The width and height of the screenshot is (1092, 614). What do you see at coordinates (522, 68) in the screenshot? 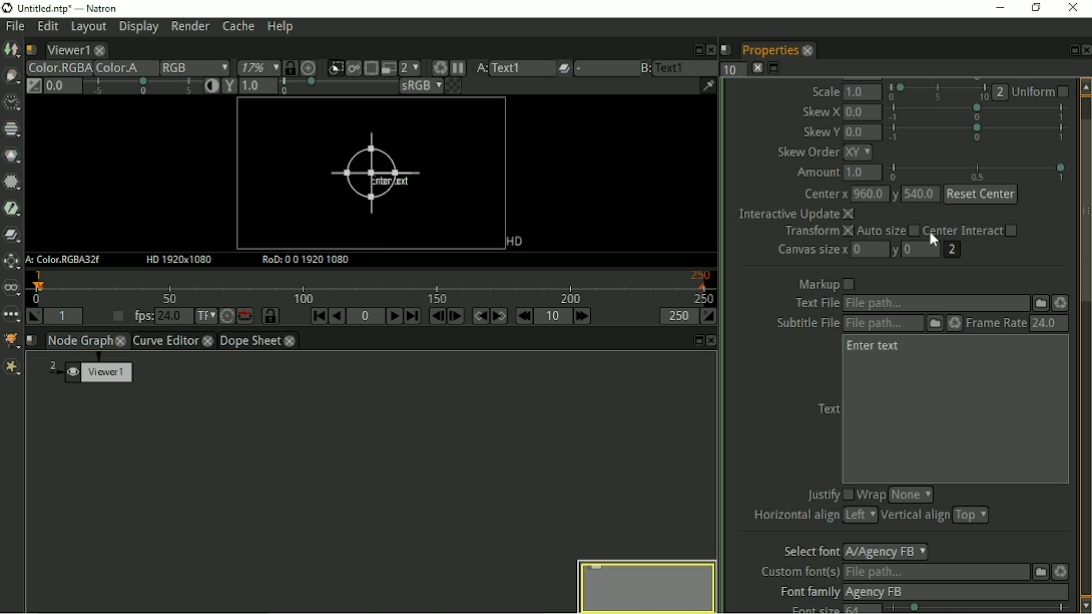
I see `text1` at bounding box center [522, 68].